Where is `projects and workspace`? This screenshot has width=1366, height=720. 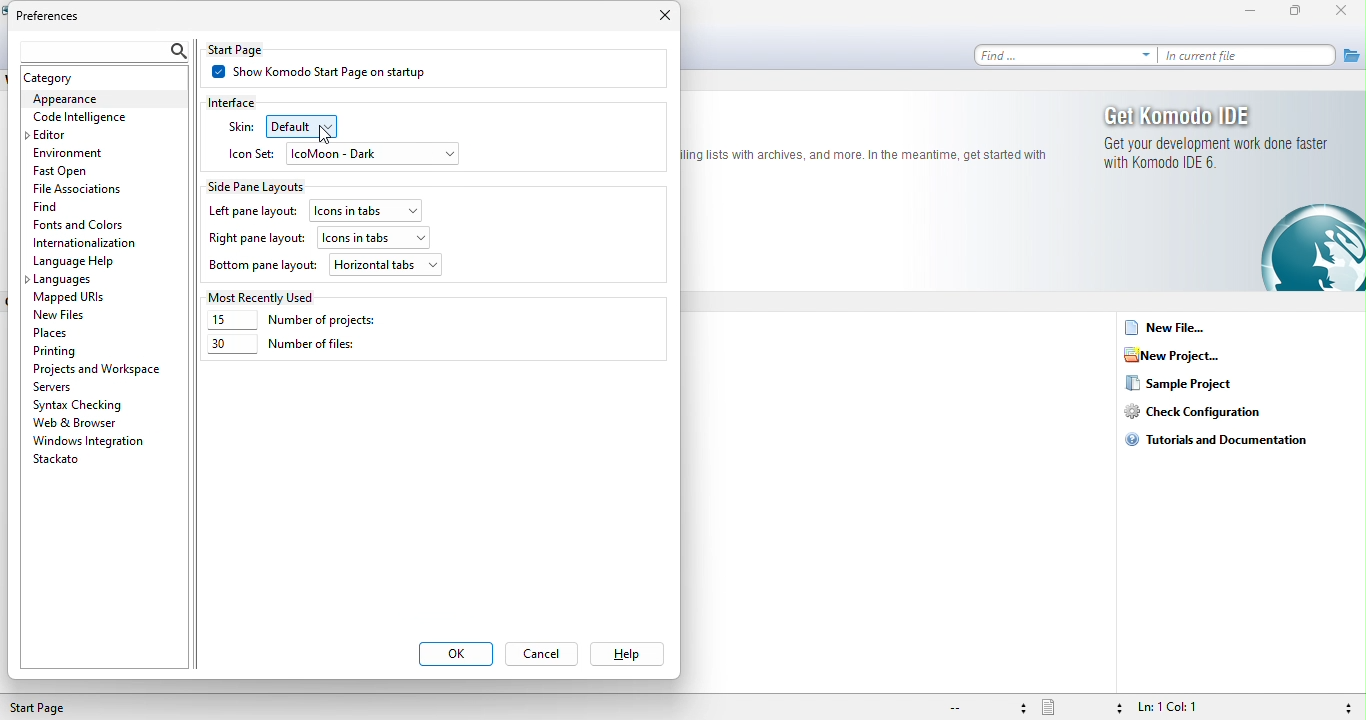
projects and workspace is located at coordinates (99, 369).